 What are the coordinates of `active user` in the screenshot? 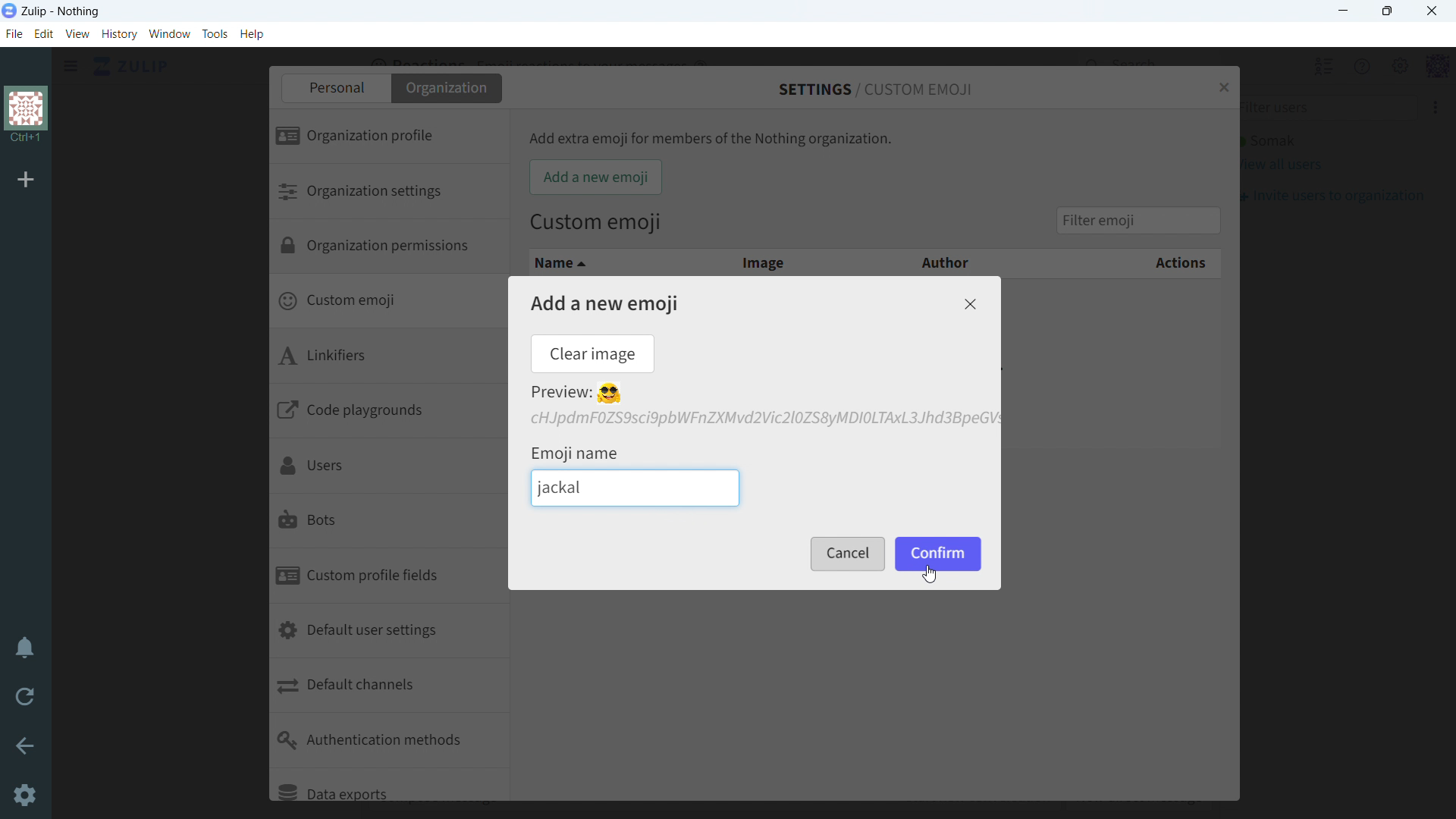 It's located at (1267, 141).